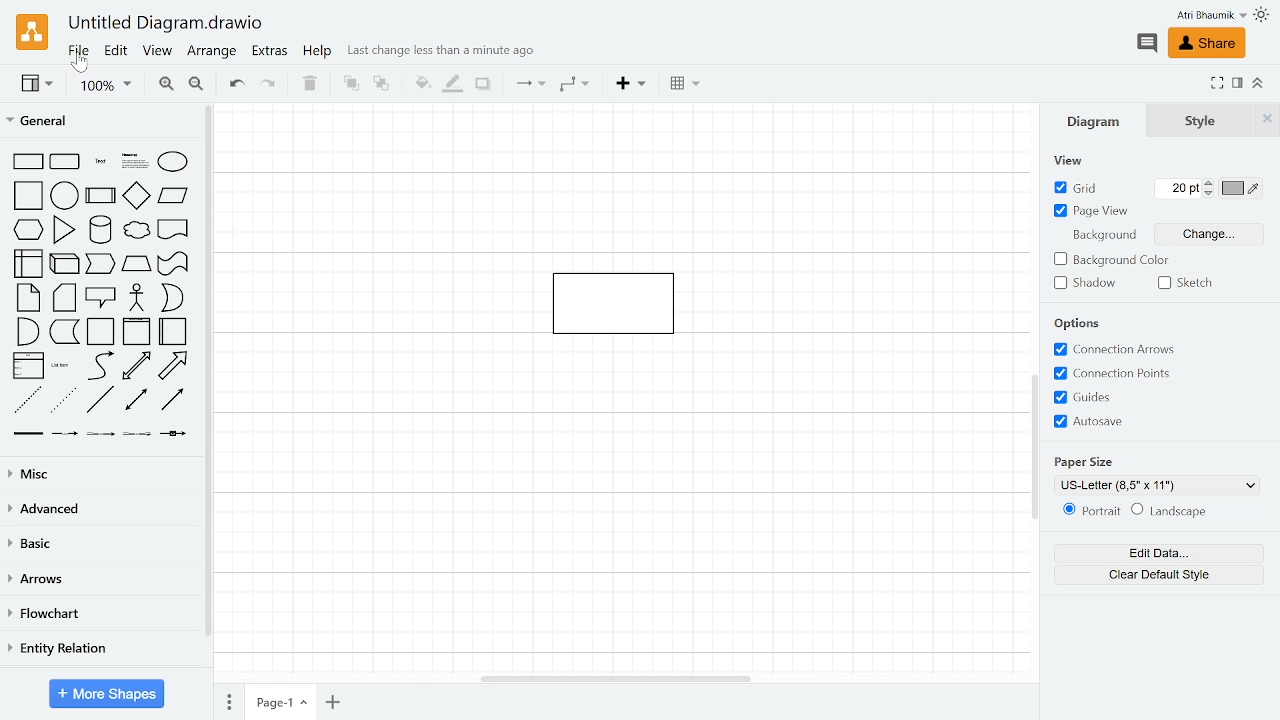 The width and height of the screenshot is (1280, 720). I want to click on Fullscreen, so click(1216, 83).